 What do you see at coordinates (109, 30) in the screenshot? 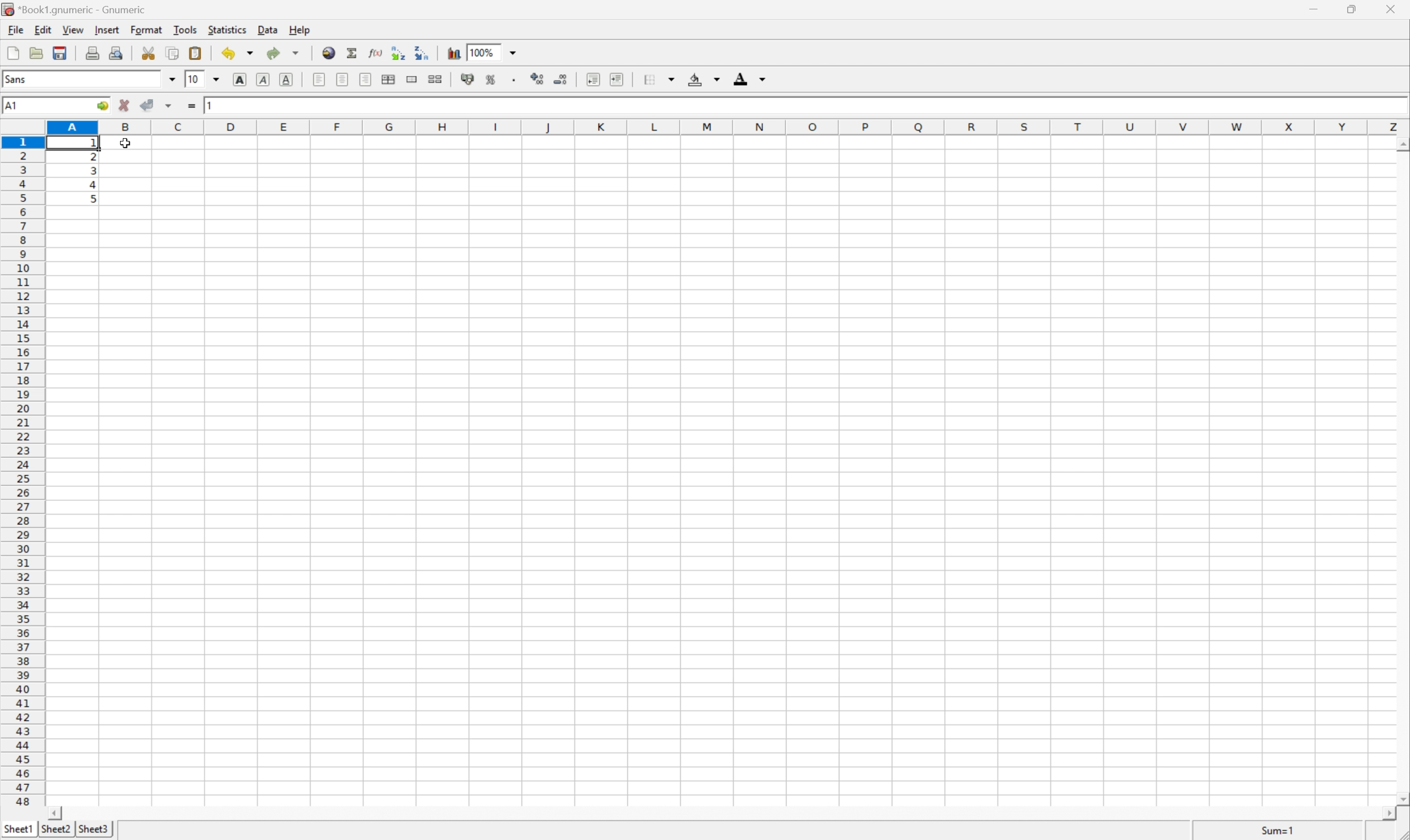
I see `Insert` at bounding box center [109, 30].